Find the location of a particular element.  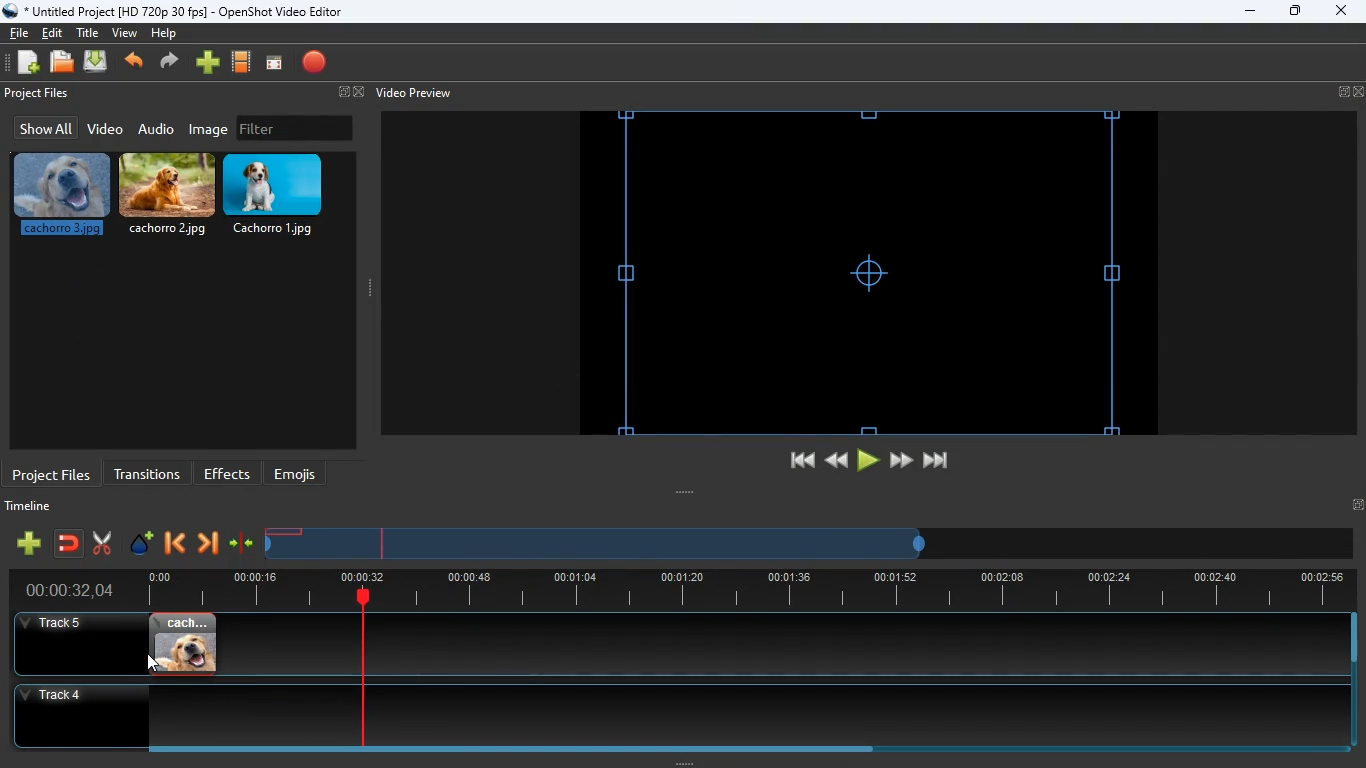

Horizontal slide bar is located at coordinates (735, 749).